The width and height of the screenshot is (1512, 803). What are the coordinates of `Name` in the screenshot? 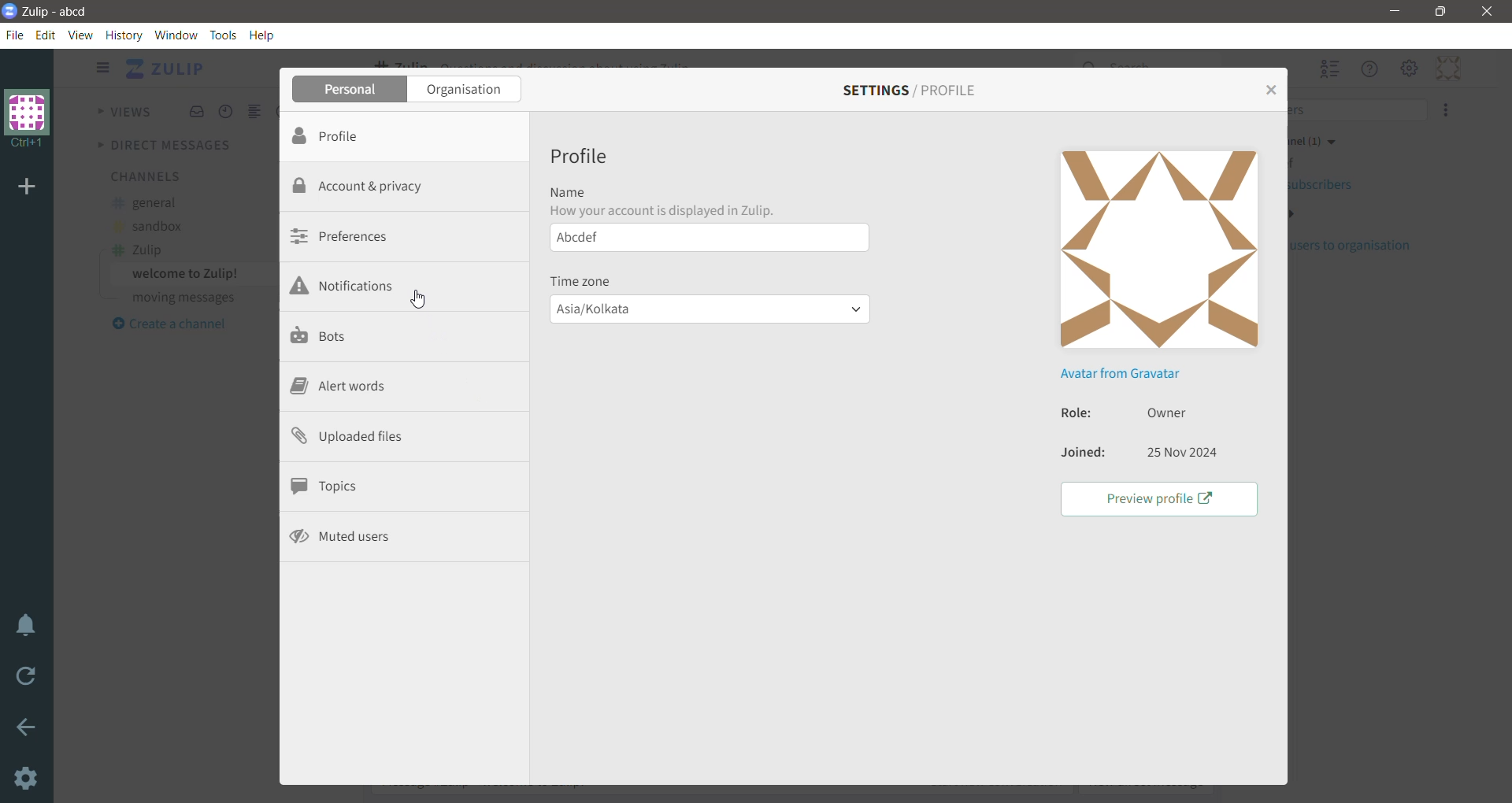 It's located at (668, 201).